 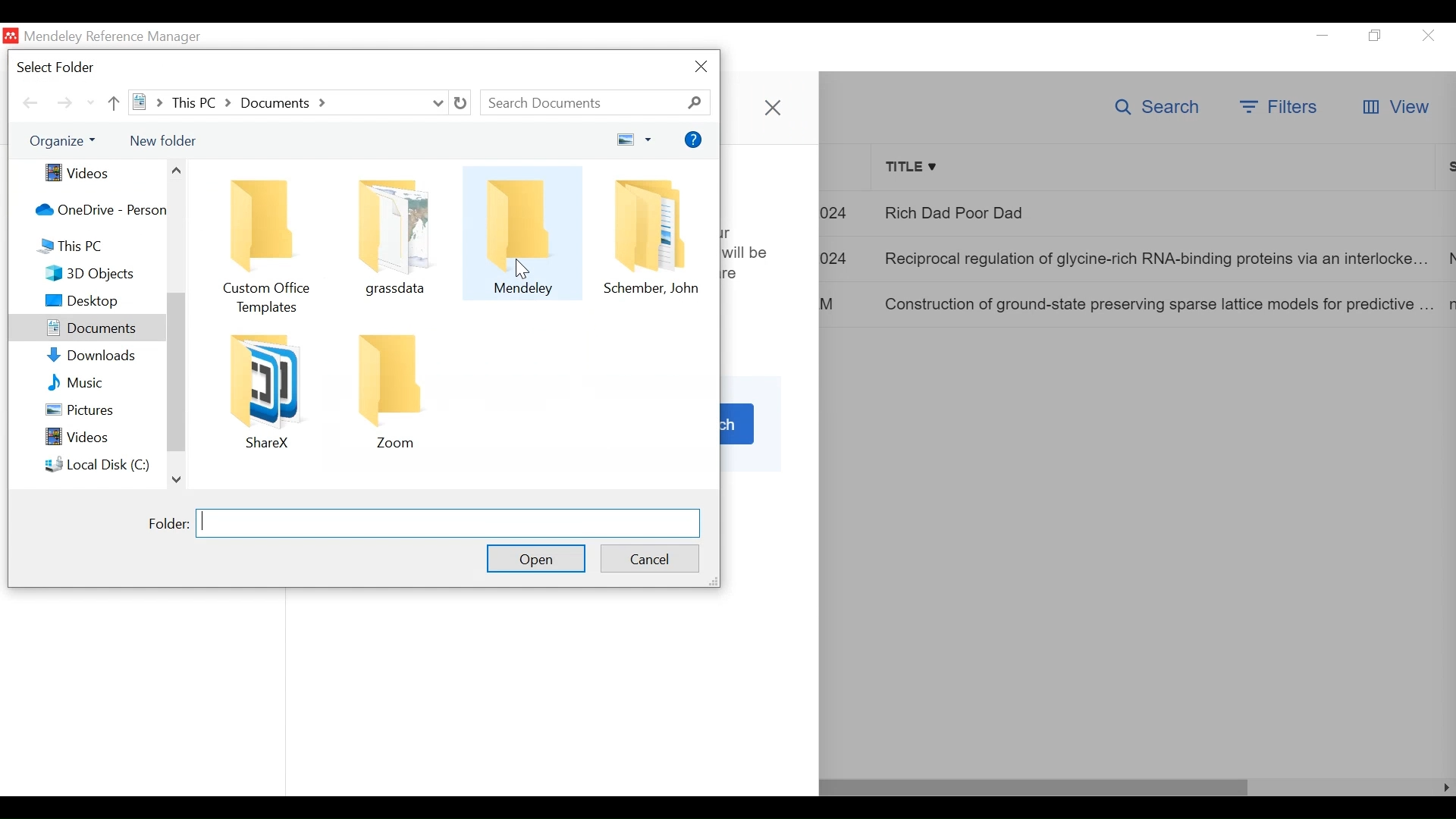 I want to click on Mendeley Reference Manager, so click(x=121, y=37).